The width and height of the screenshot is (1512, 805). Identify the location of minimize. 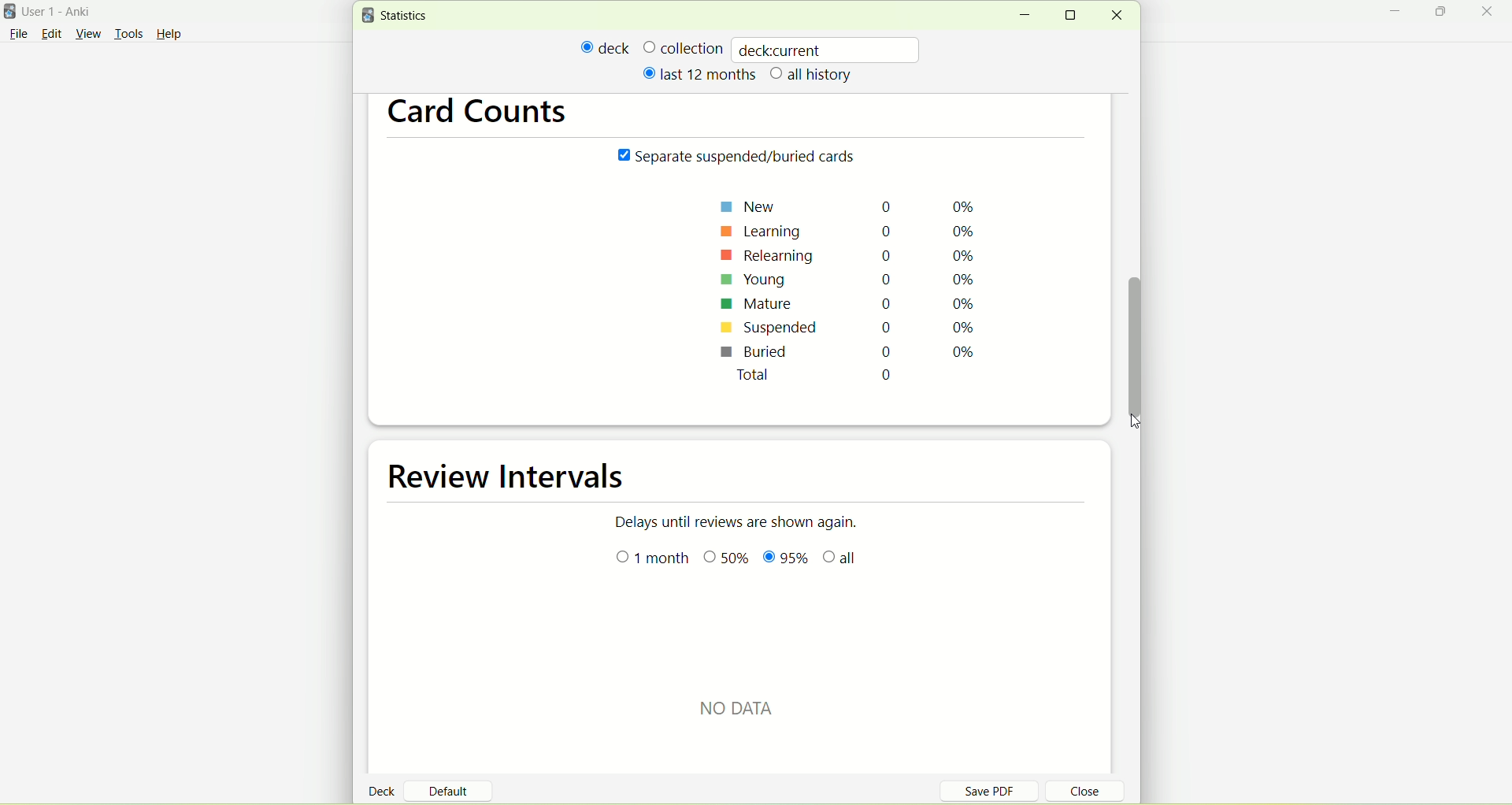
(1399, 13).